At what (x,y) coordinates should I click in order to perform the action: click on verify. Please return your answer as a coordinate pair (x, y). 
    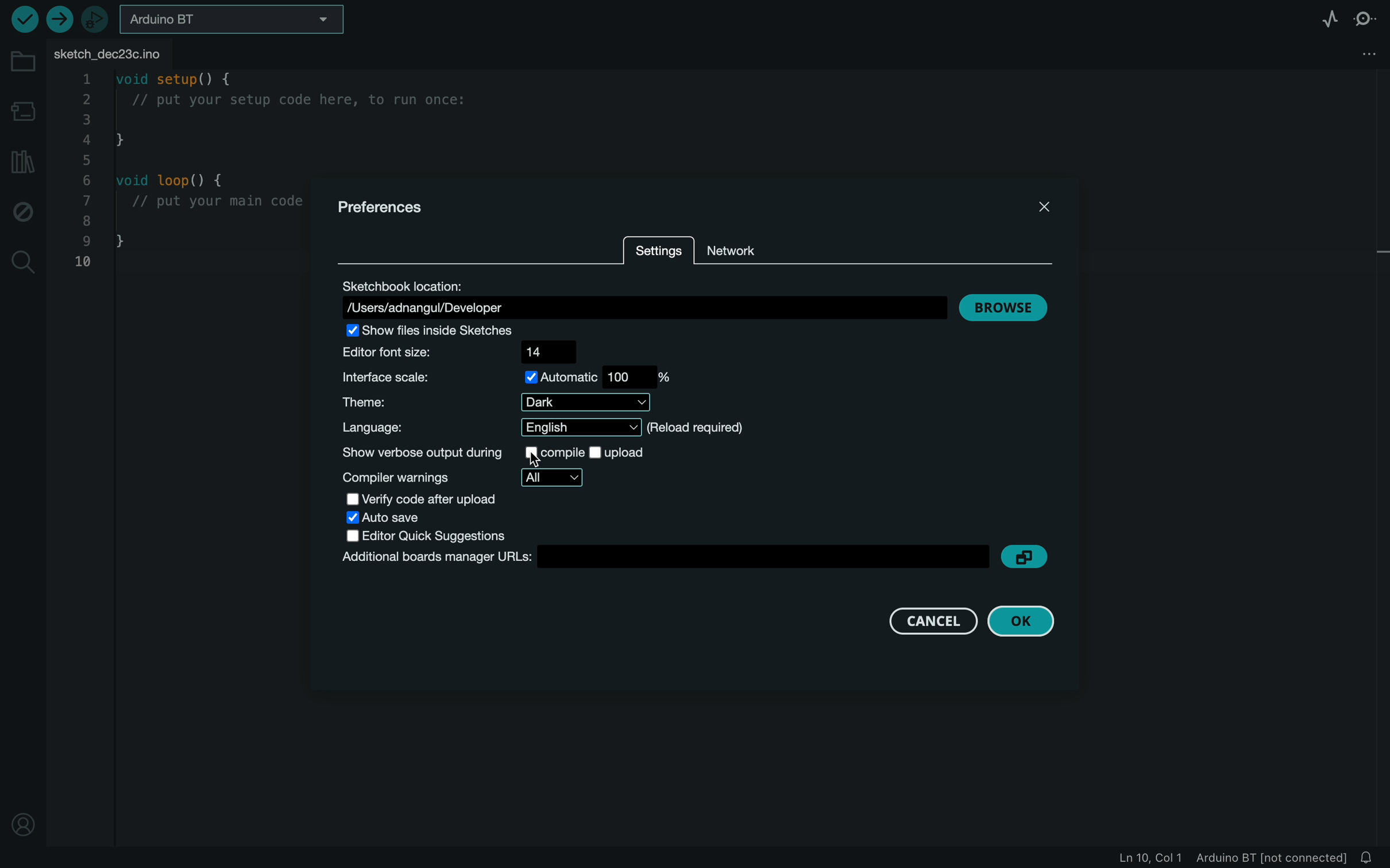
    Looking at the image, I should click on (22, 18).